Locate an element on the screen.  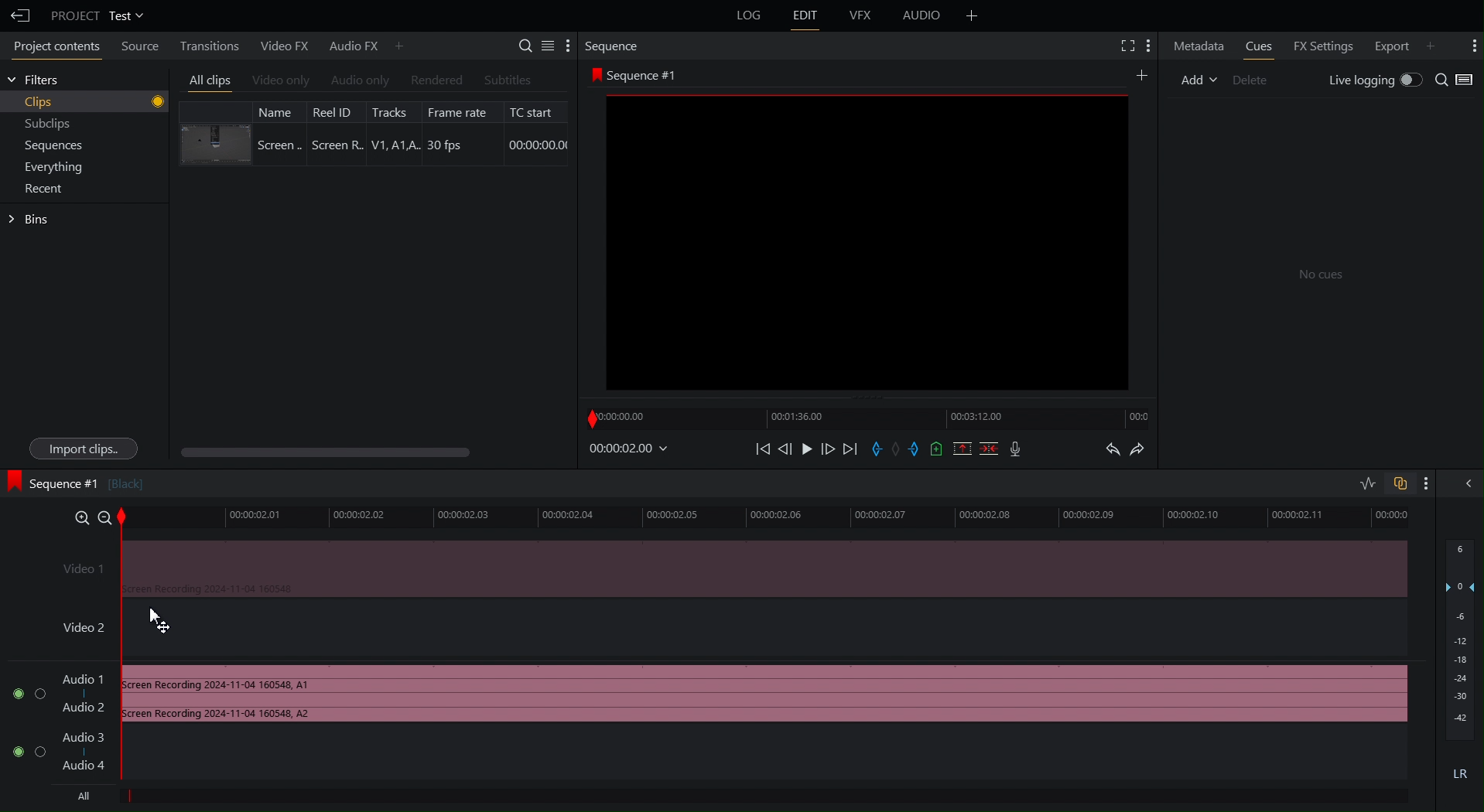
Audio Only is located at coordinates (358, 80).